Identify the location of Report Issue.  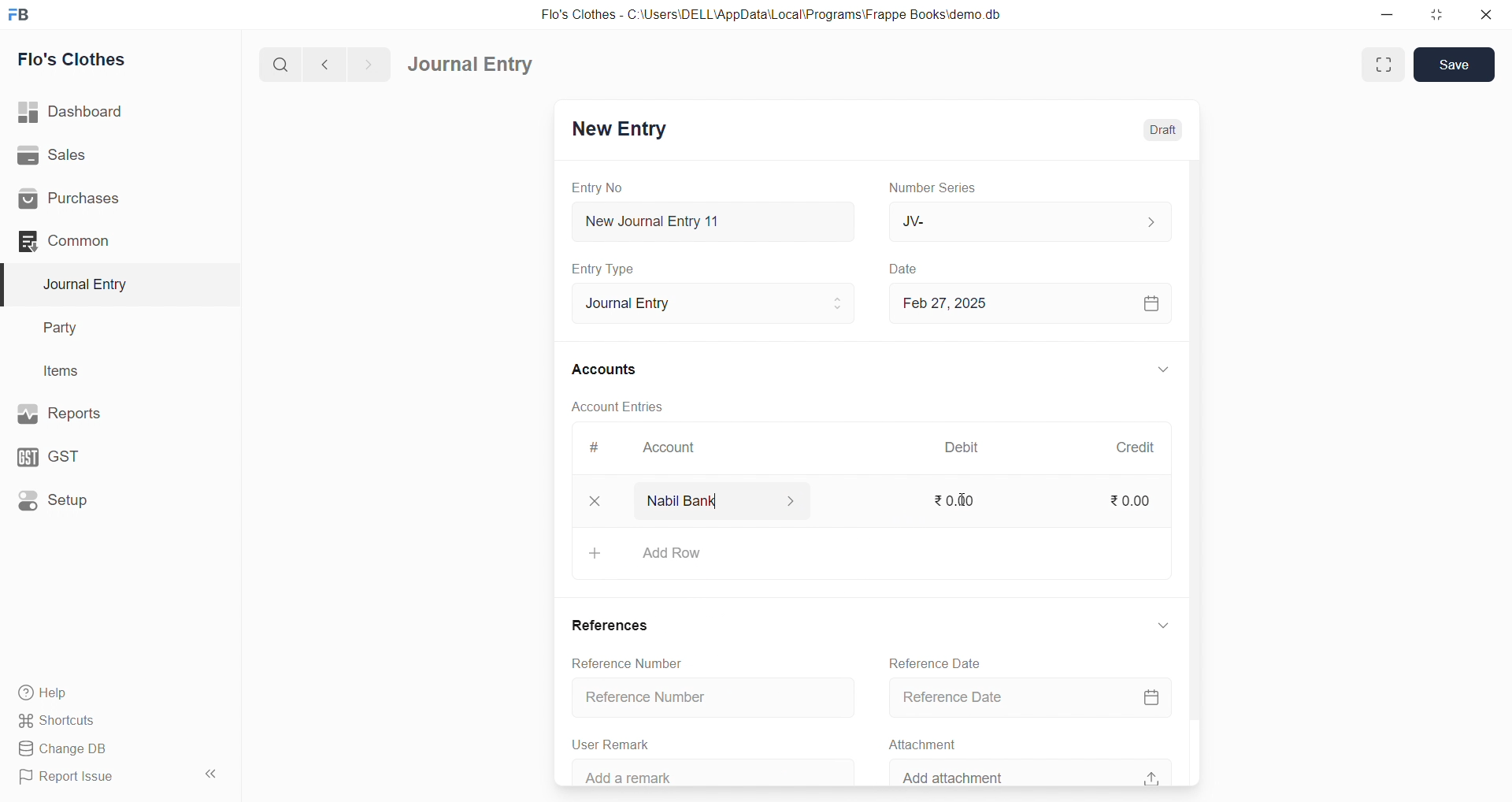
(94, 780).